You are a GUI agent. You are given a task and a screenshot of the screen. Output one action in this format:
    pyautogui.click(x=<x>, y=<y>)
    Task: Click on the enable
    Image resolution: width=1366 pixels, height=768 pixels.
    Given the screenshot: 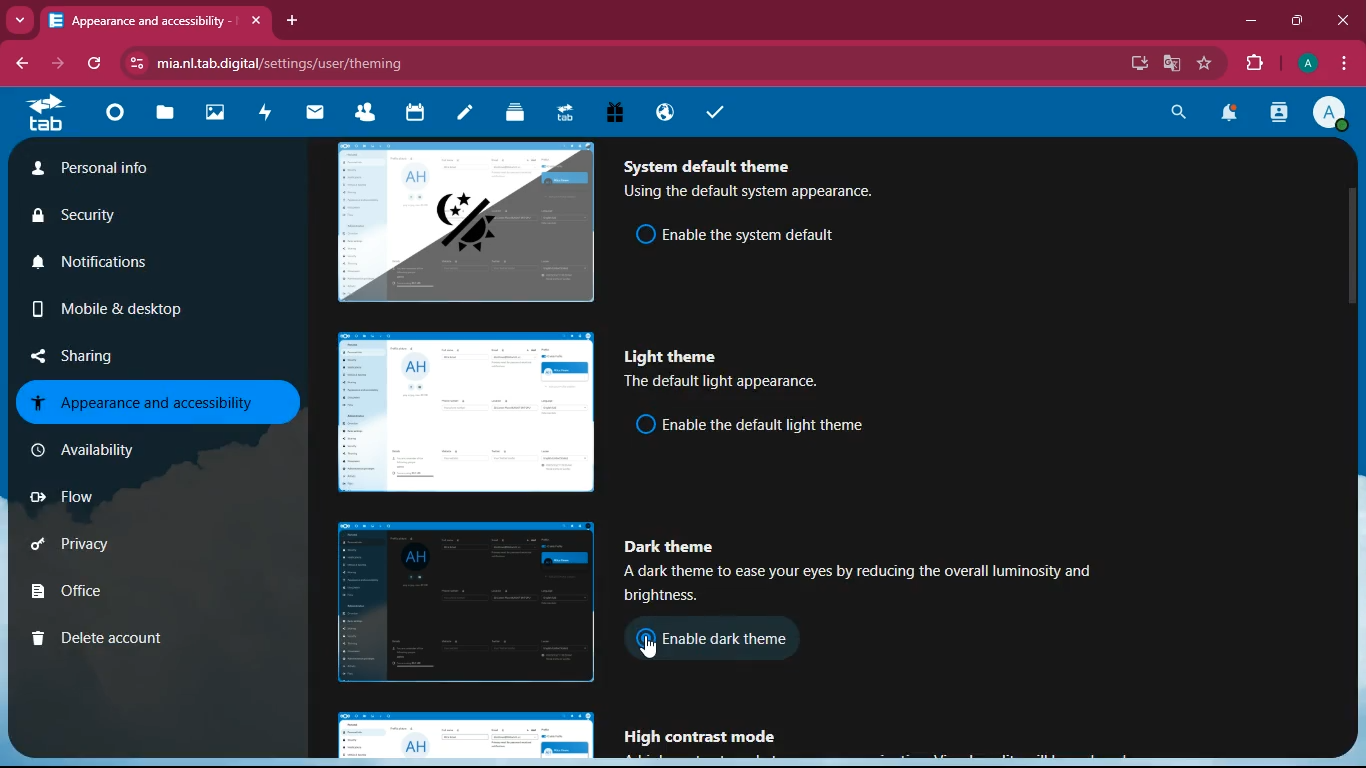 What is the action you would take?
    pyautogui.click(x=773, y=426)
    